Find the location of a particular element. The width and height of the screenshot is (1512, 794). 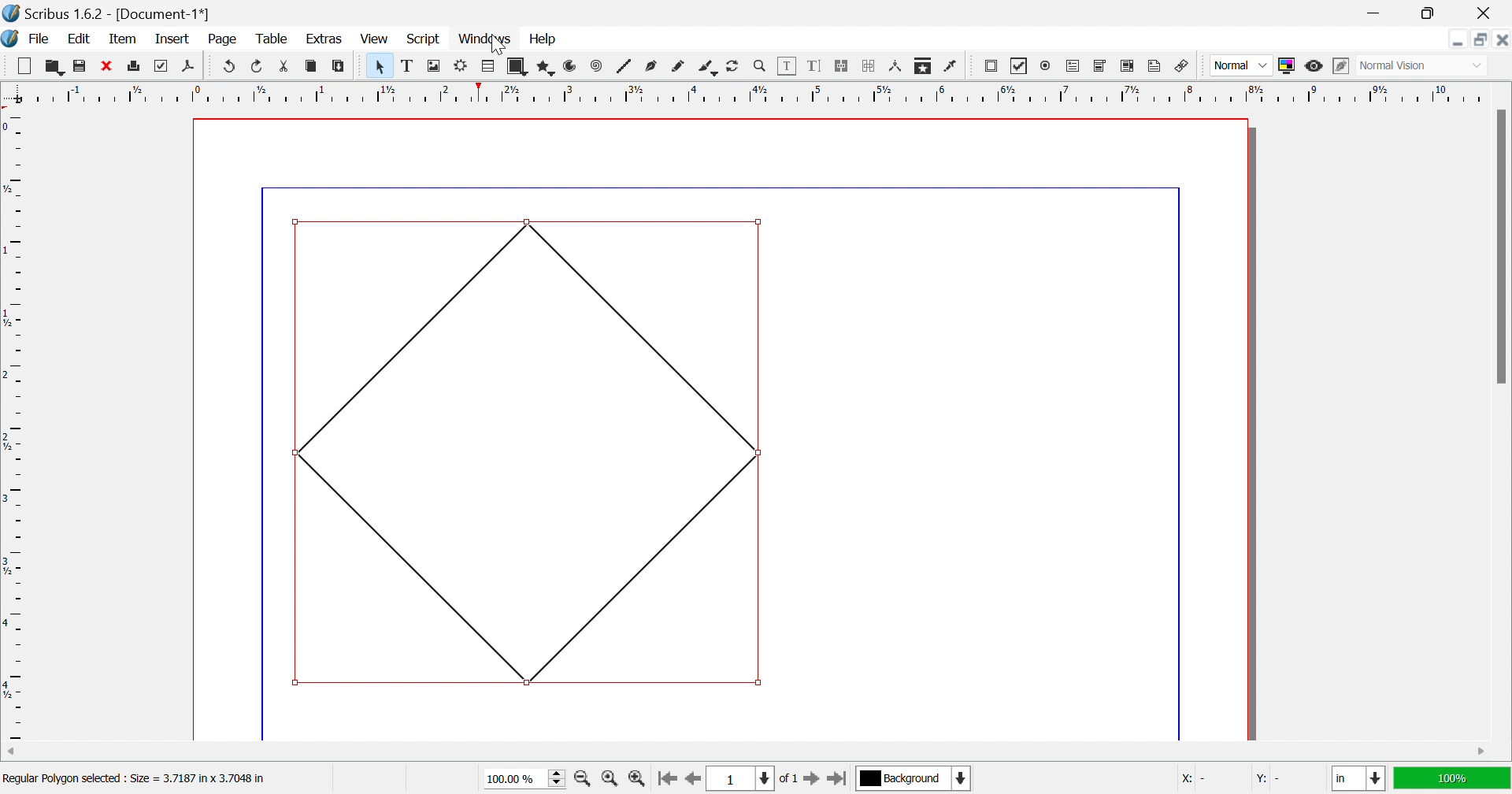

Cursor is located at coordinates (498, 46).